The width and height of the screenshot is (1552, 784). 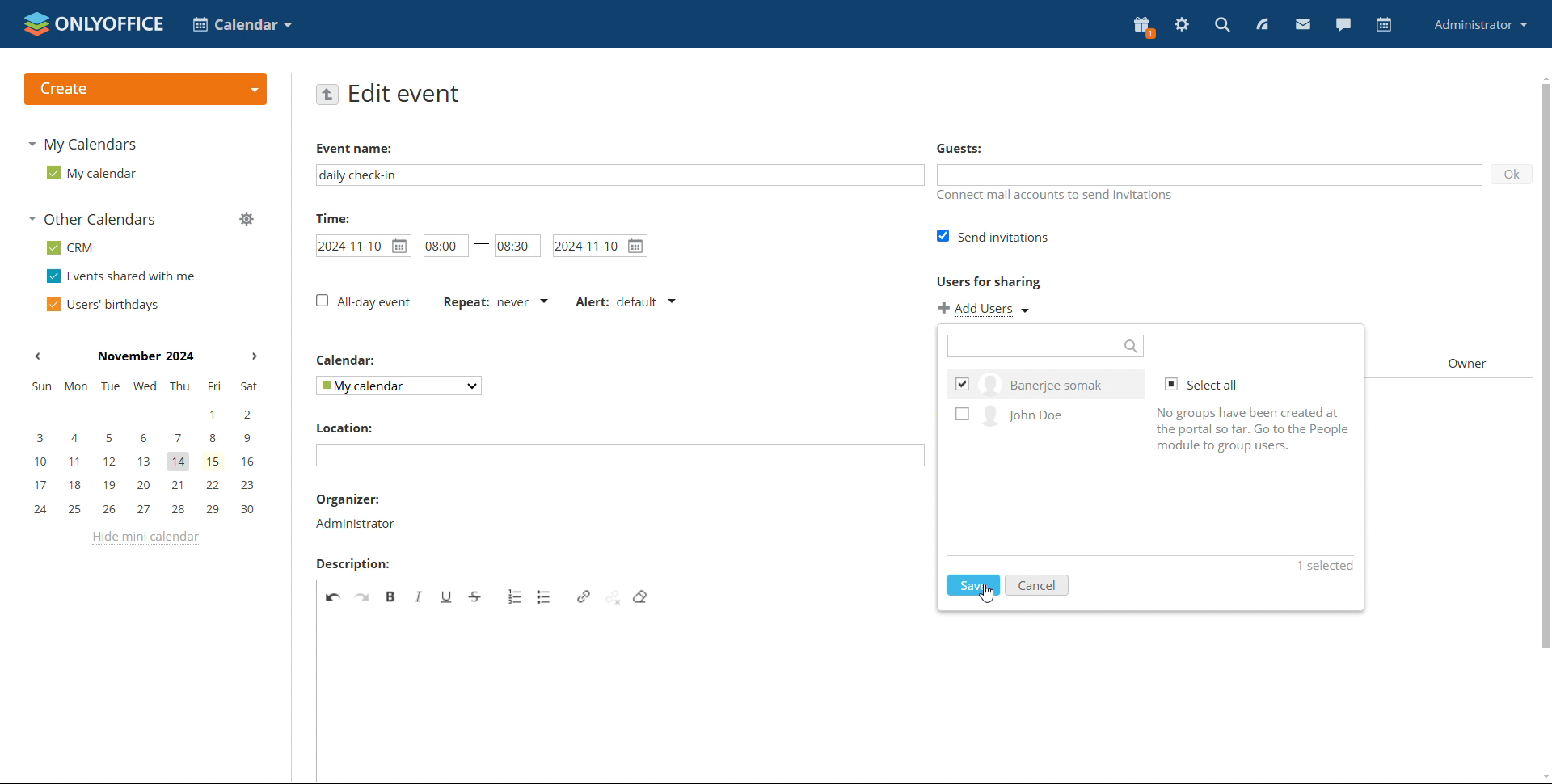 What do you see at coordinates (102, 304) in the screenshot?
I see `users' birthdays` at bounding box center [102, 304].